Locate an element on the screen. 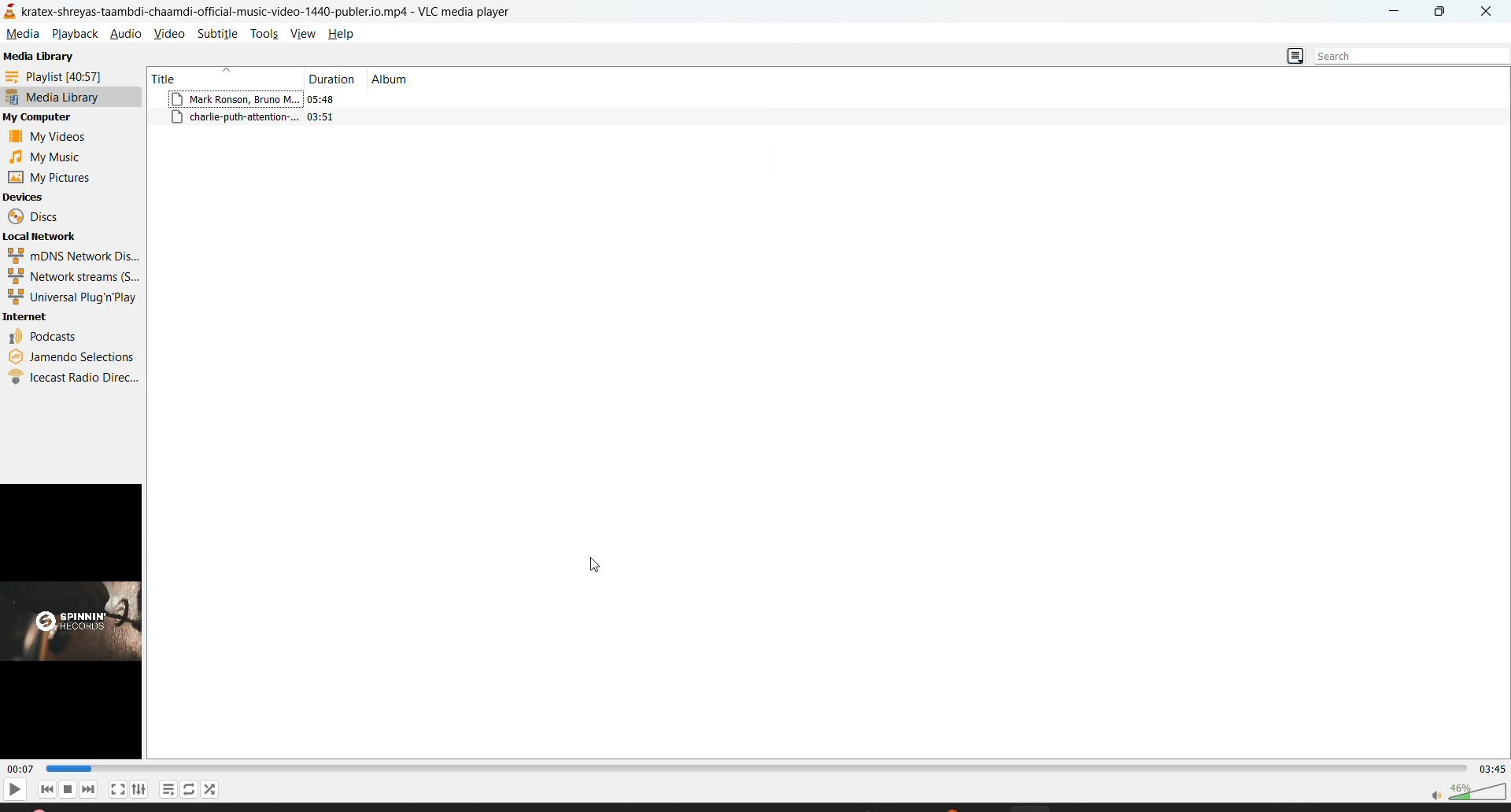 The height and width of the screenshot is (812, 1511). cursor is located at coordinates (597, 563).